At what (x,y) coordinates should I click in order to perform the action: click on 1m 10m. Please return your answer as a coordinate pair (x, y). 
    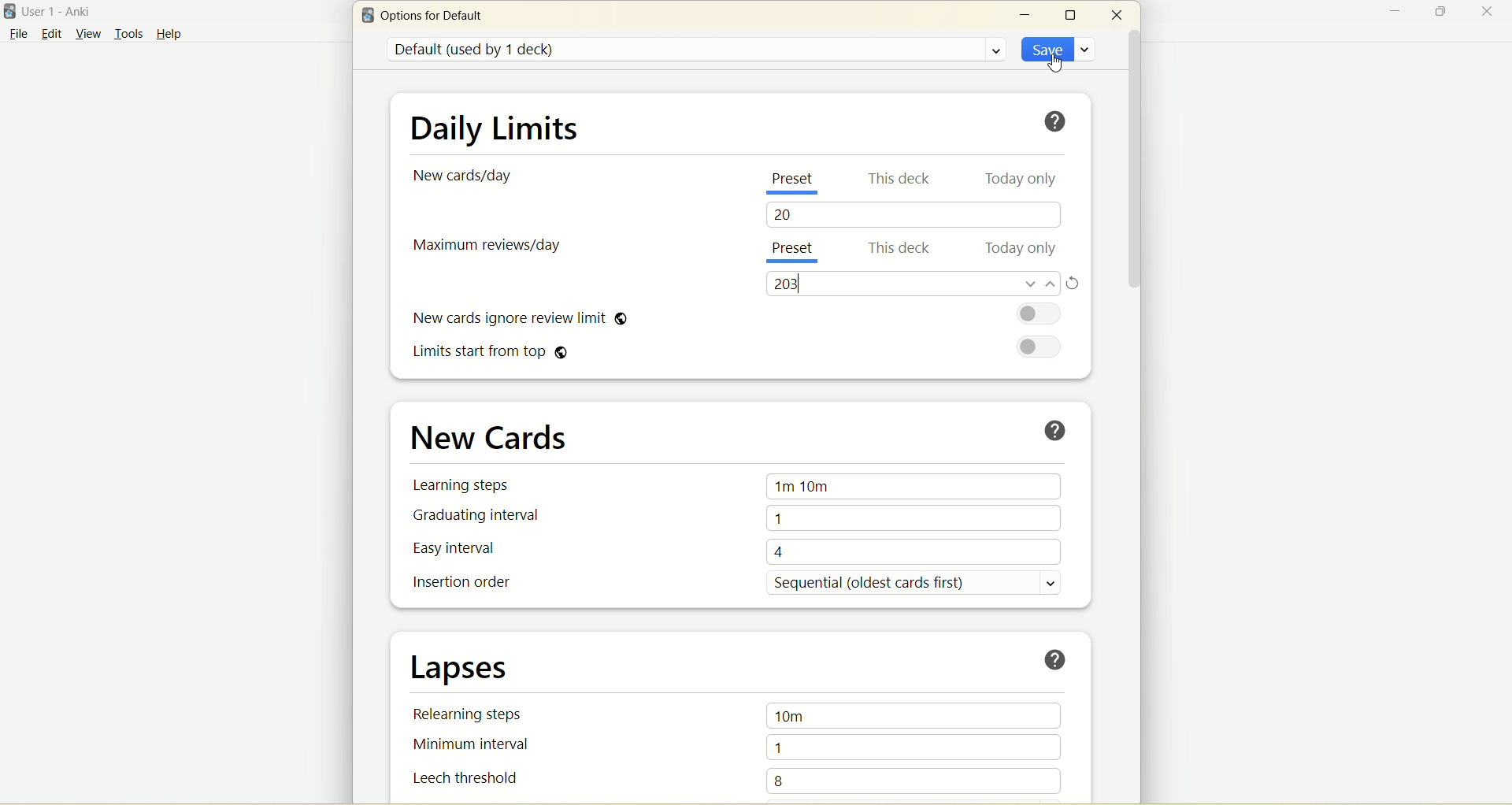
    Looking at the image, I should click on (918, 483).